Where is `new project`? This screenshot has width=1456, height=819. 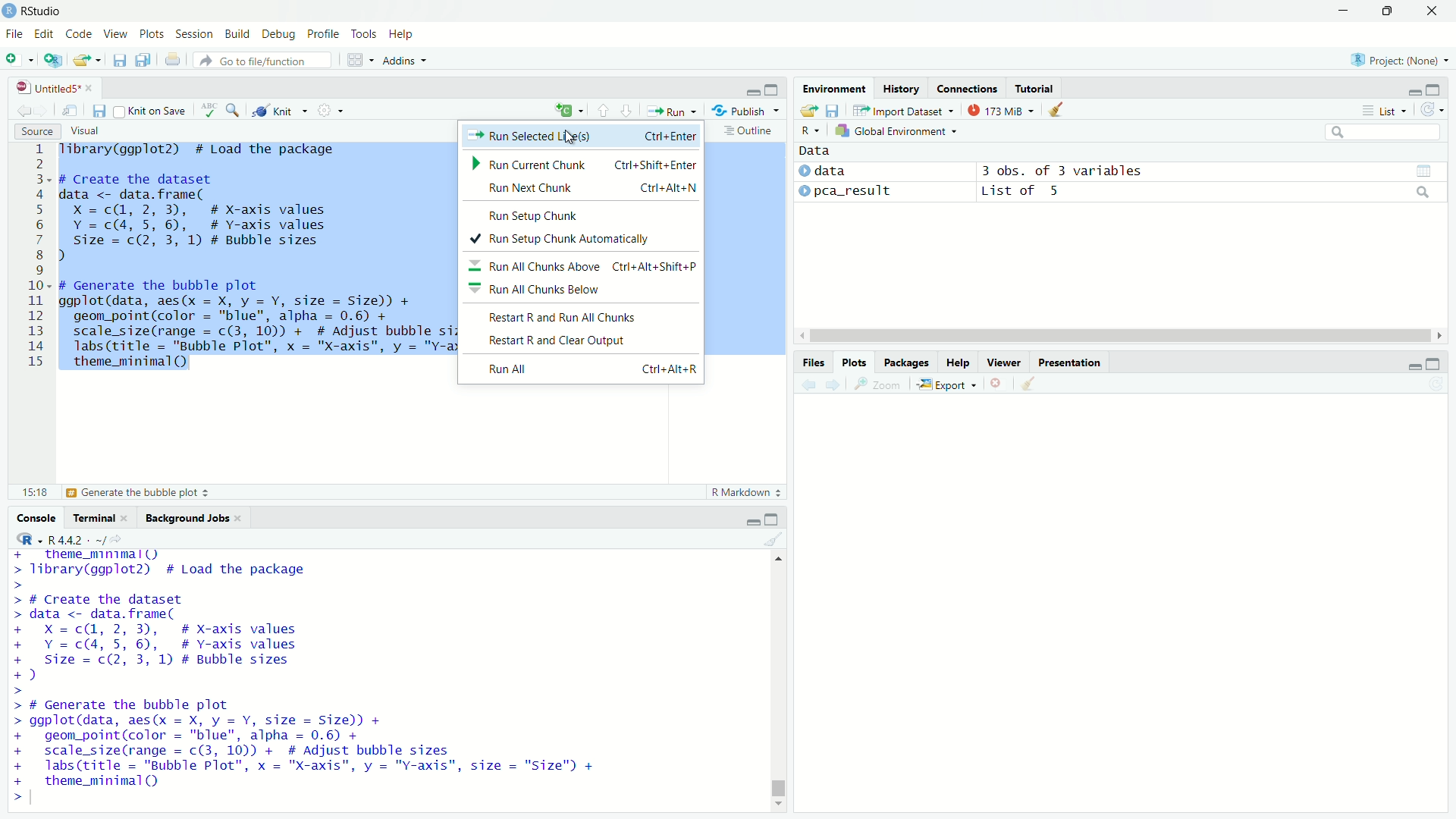 new project is located at coordinates (53, 60).